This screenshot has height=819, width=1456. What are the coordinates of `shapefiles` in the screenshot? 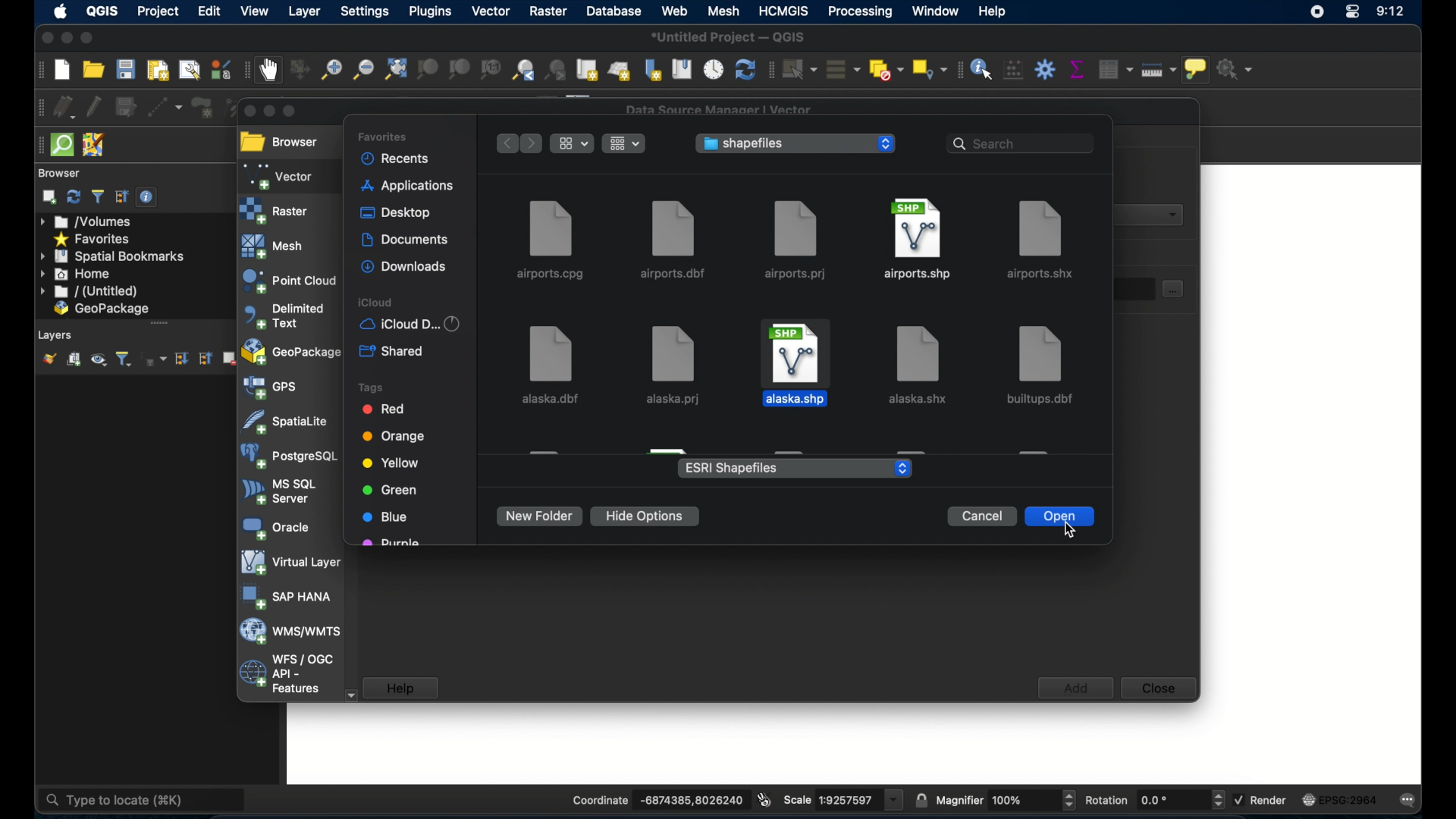 It's located at (742, 143).